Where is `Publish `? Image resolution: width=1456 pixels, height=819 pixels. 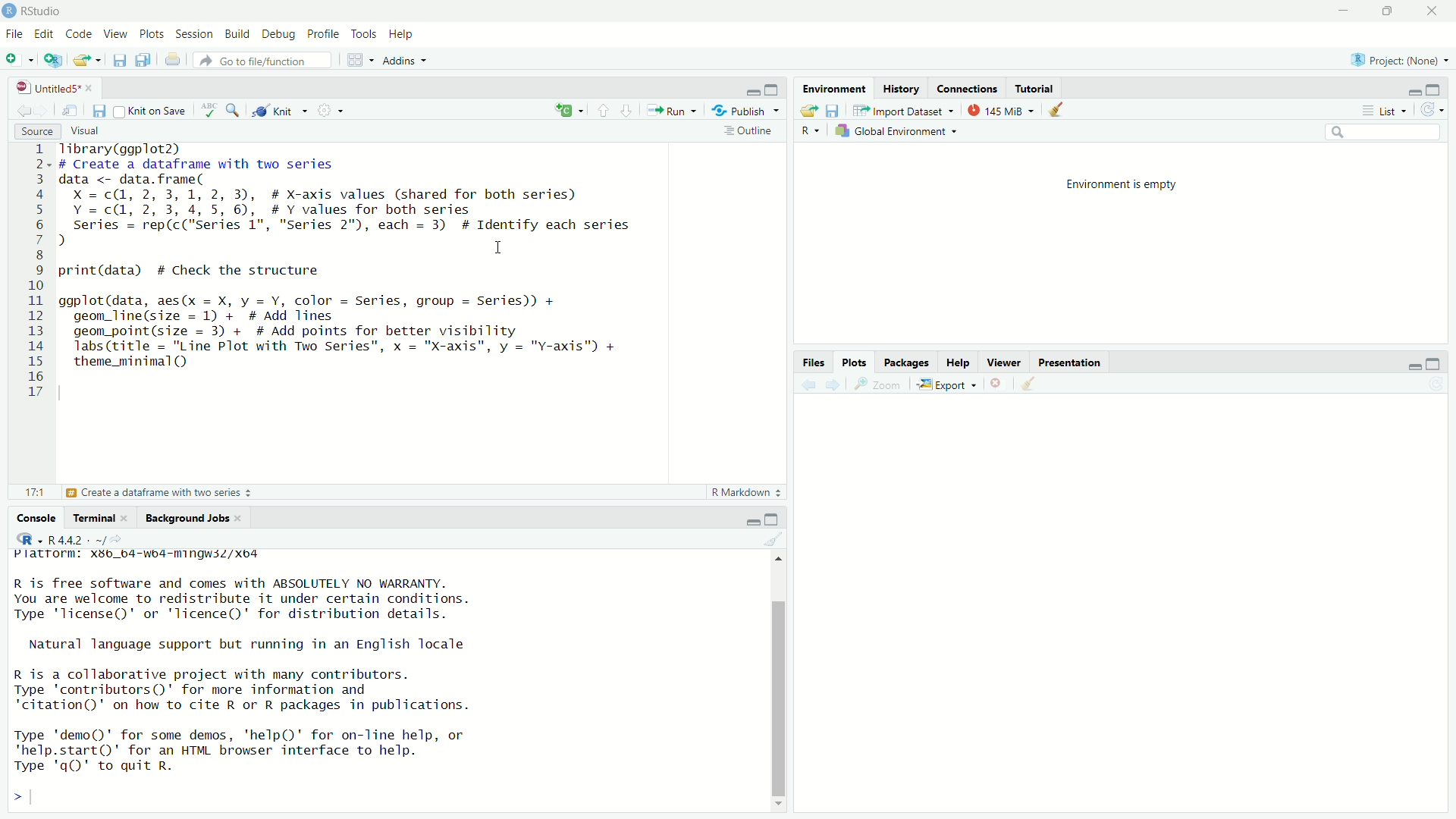 Publish  is located at coordinates (747, 111).